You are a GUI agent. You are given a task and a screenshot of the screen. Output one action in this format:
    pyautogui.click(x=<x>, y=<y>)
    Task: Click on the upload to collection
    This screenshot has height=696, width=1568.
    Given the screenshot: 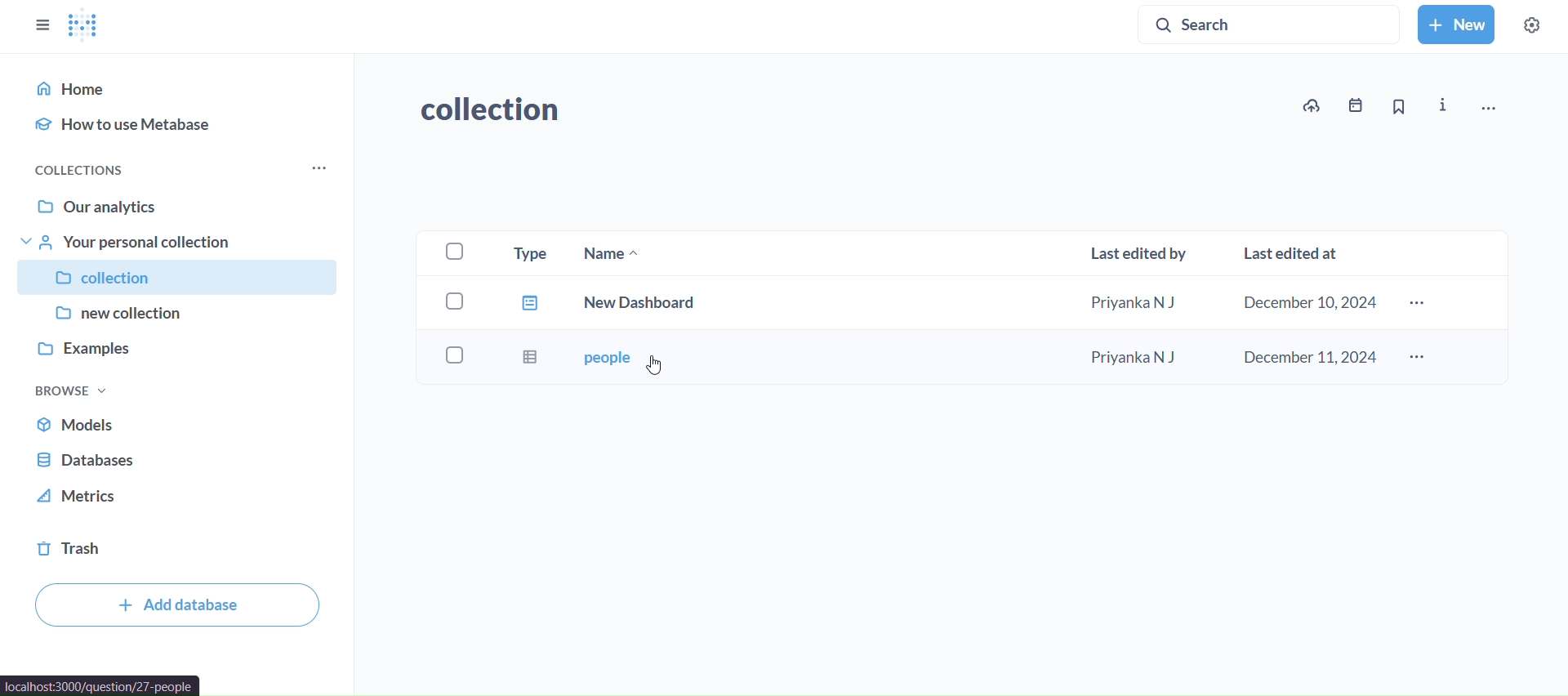 What is the action you would take?
    pyautogui.click(x=1311, y=107)
    